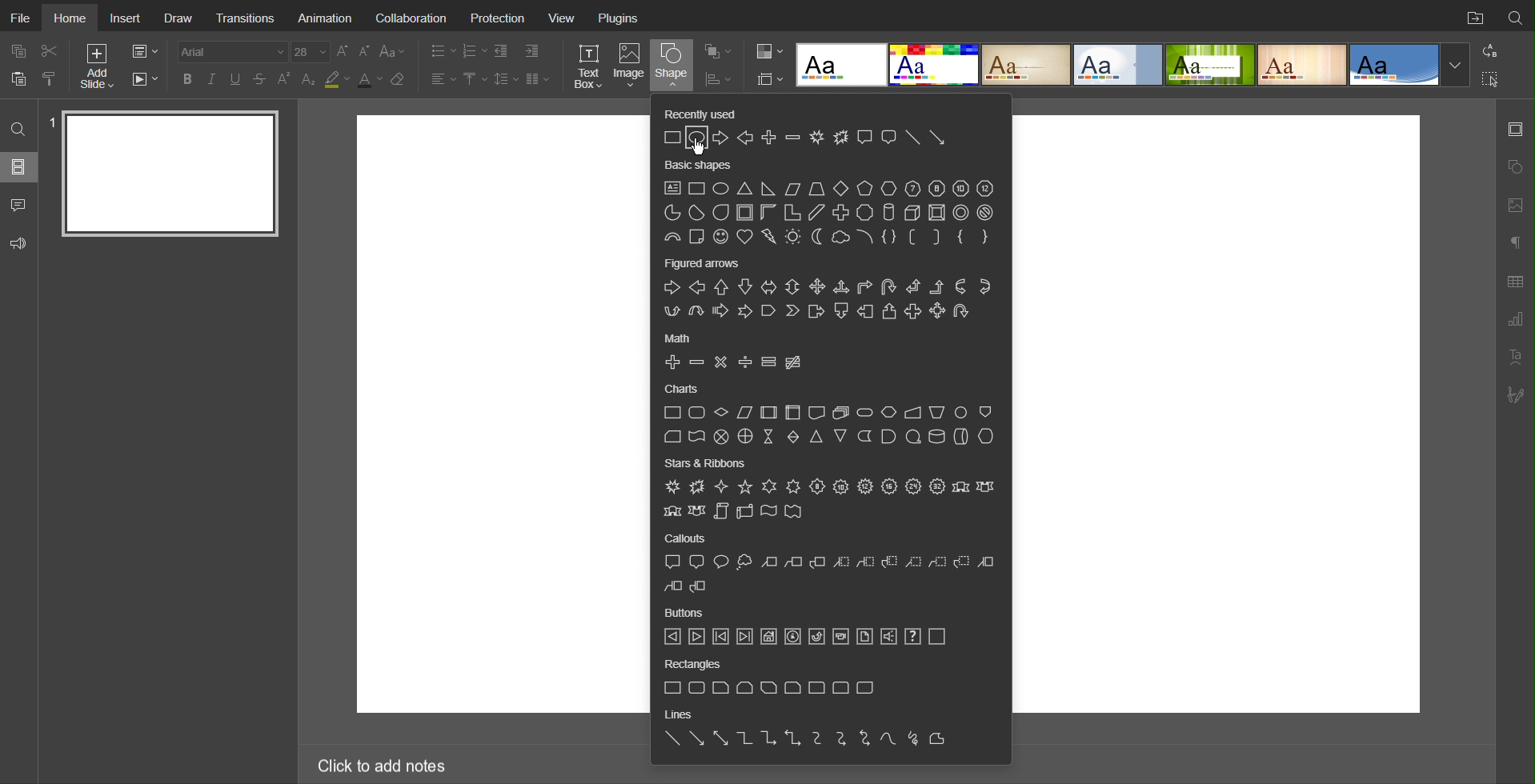 Image resolution: width=1535 pixels, height=784 pixels. What do you see at coordinates (1514, 203) in the screenshot?
I see `Image Settings` at bounding box center [1514, 203].